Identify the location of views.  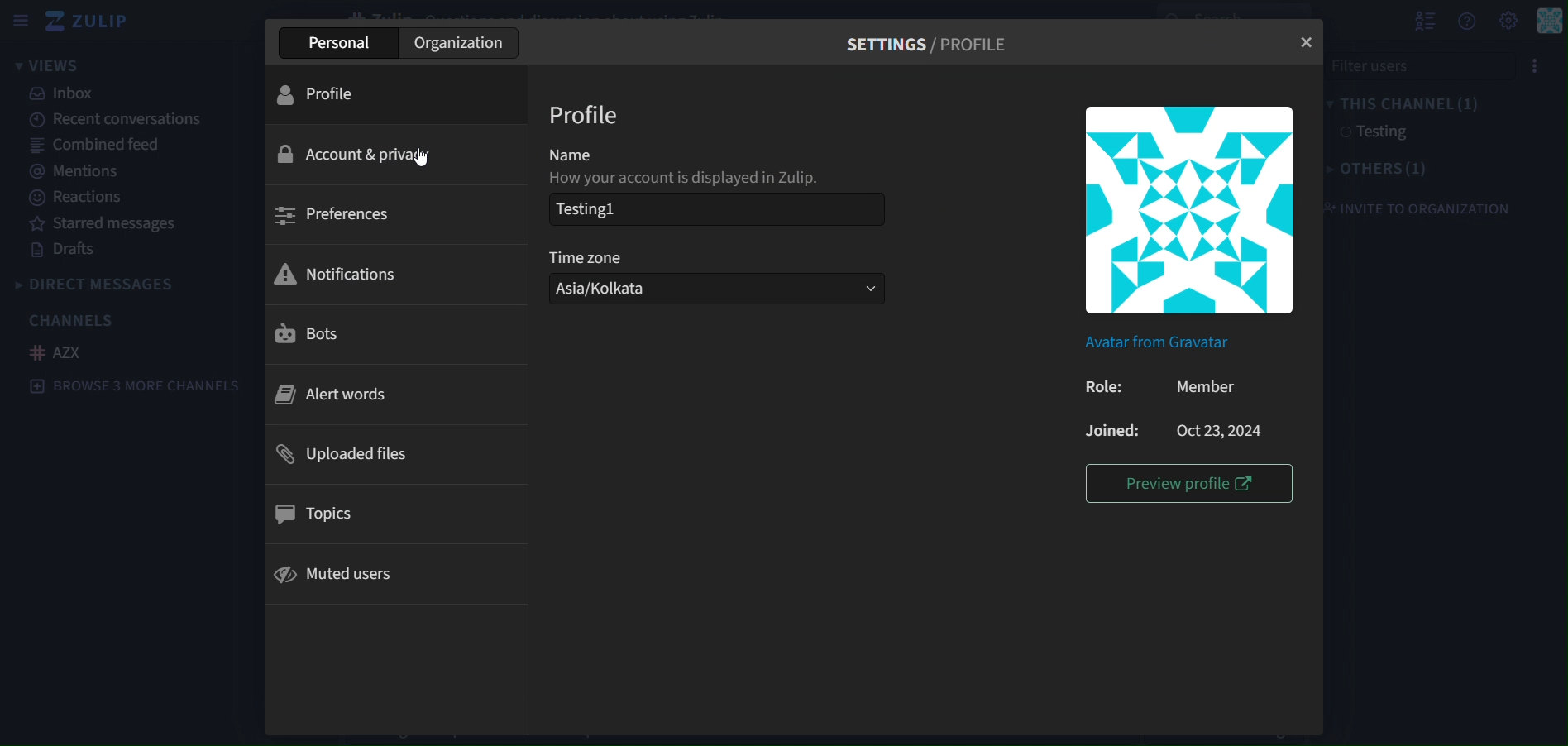
(55, 65).